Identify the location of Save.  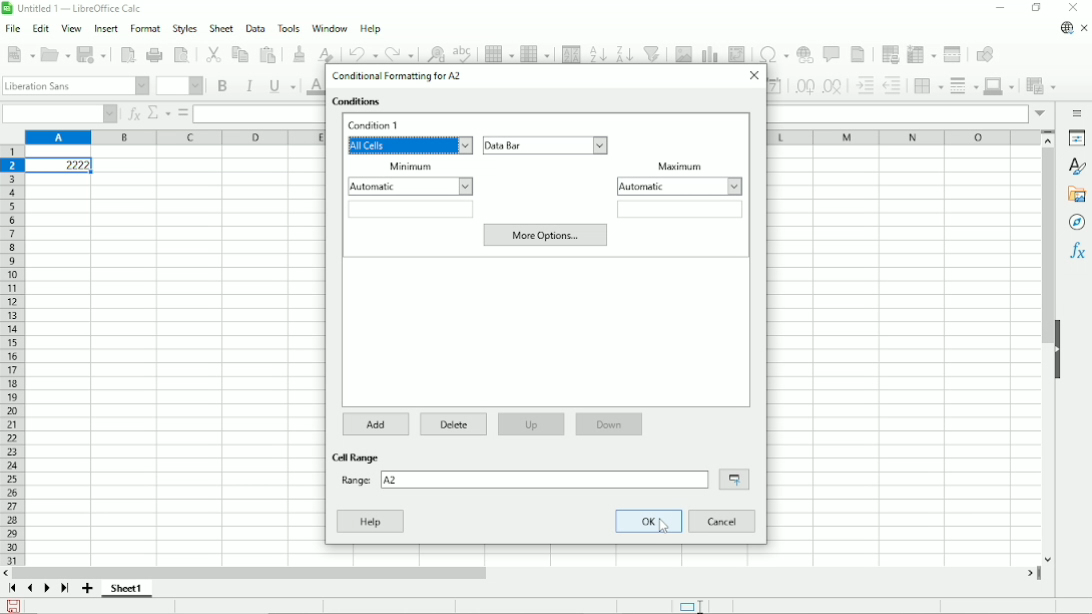
(92, 54).